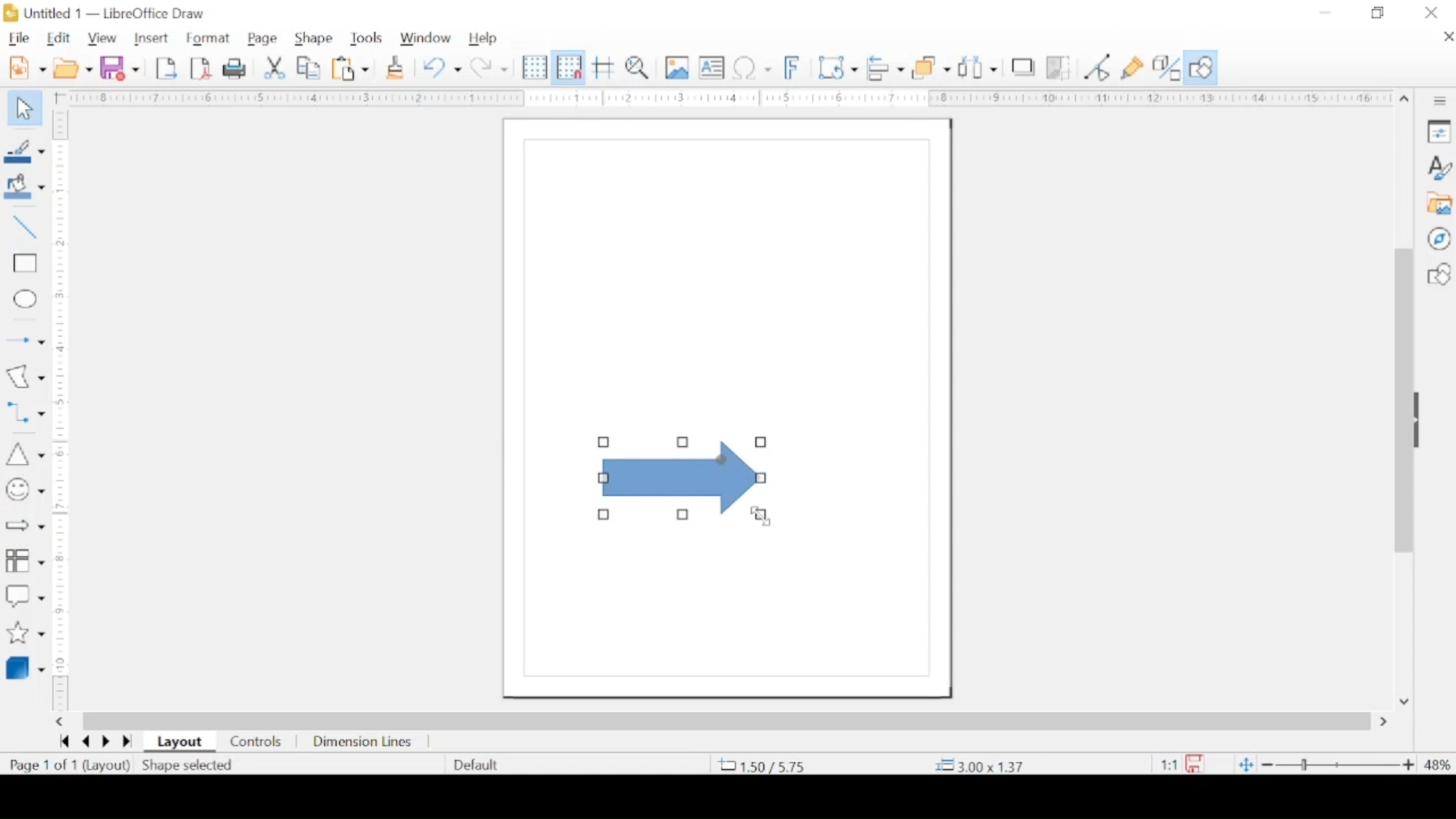 The height and width of the screenshot is (819, 1456). Describe the element at coordinates (58, 722) in the screenshot. I see `scroll left` at that location.